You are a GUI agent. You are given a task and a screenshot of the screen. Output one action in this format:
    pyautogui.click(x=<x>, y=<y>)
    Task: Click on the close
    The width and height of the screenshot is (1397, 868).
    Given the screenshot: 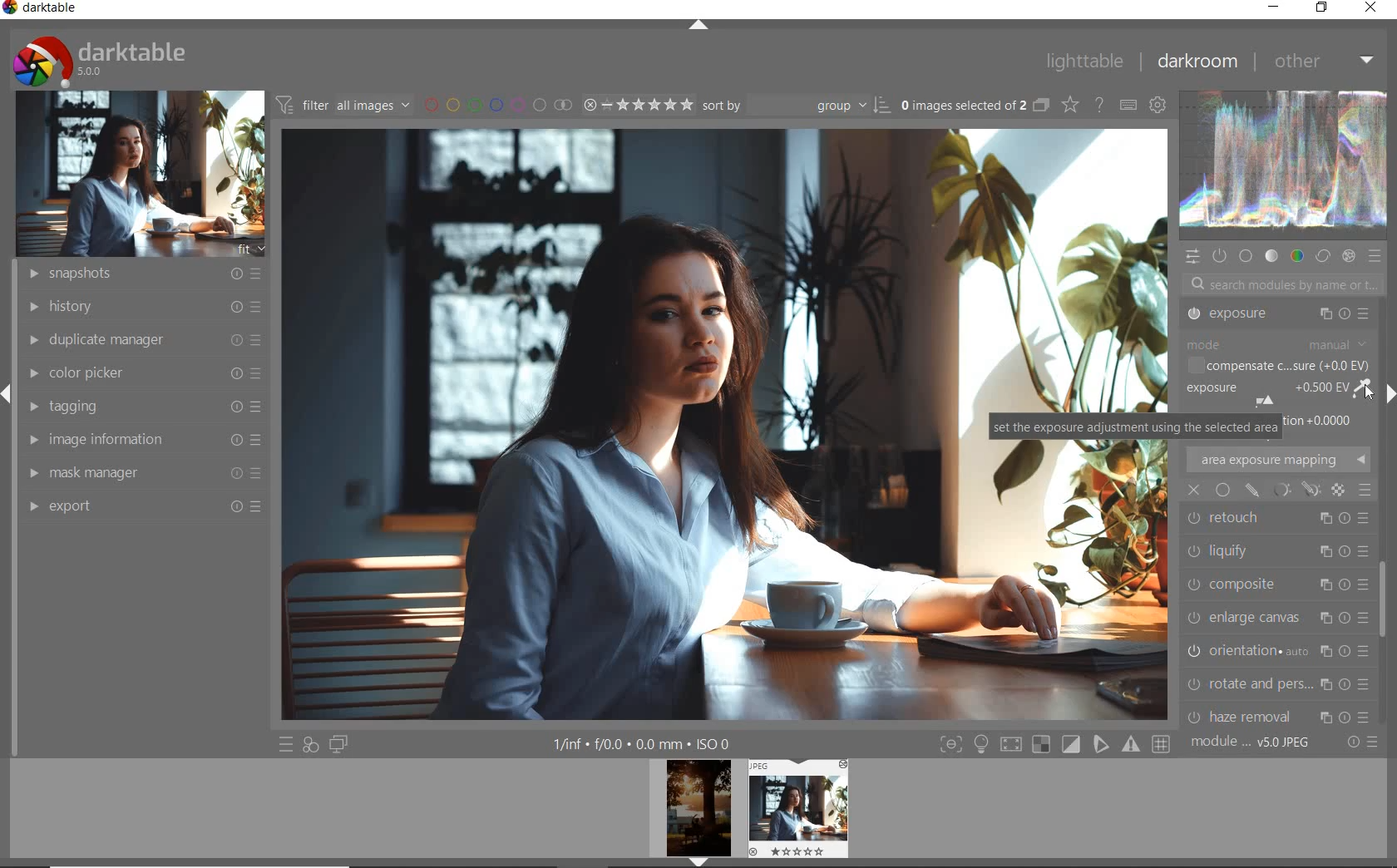 What is the action you would take?
    pyautogui.click(x=1195, y=490)
    